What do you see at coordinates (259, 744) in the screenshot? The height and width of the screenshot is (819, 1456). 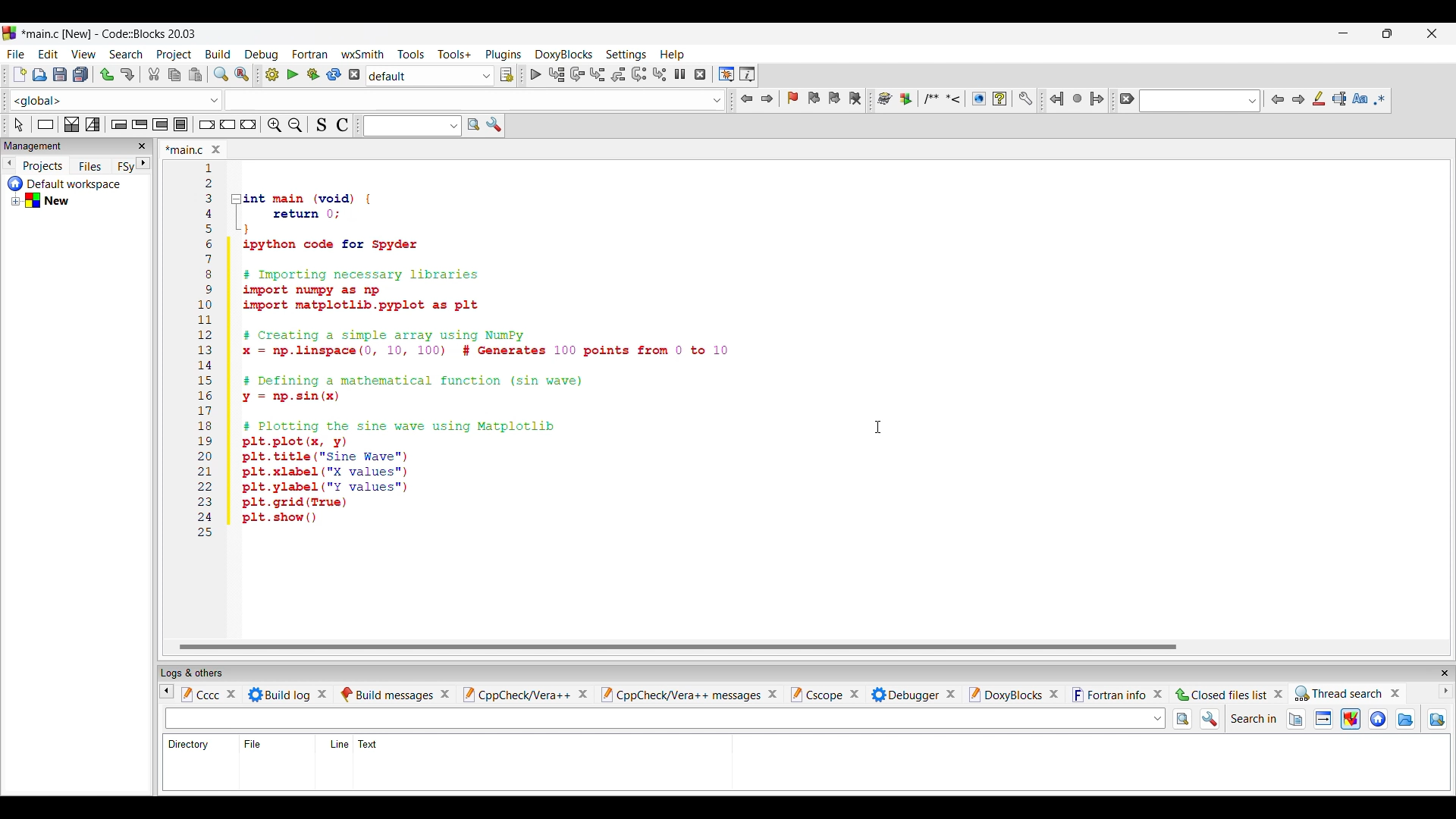 I see `` at bounding box center [259, 744].